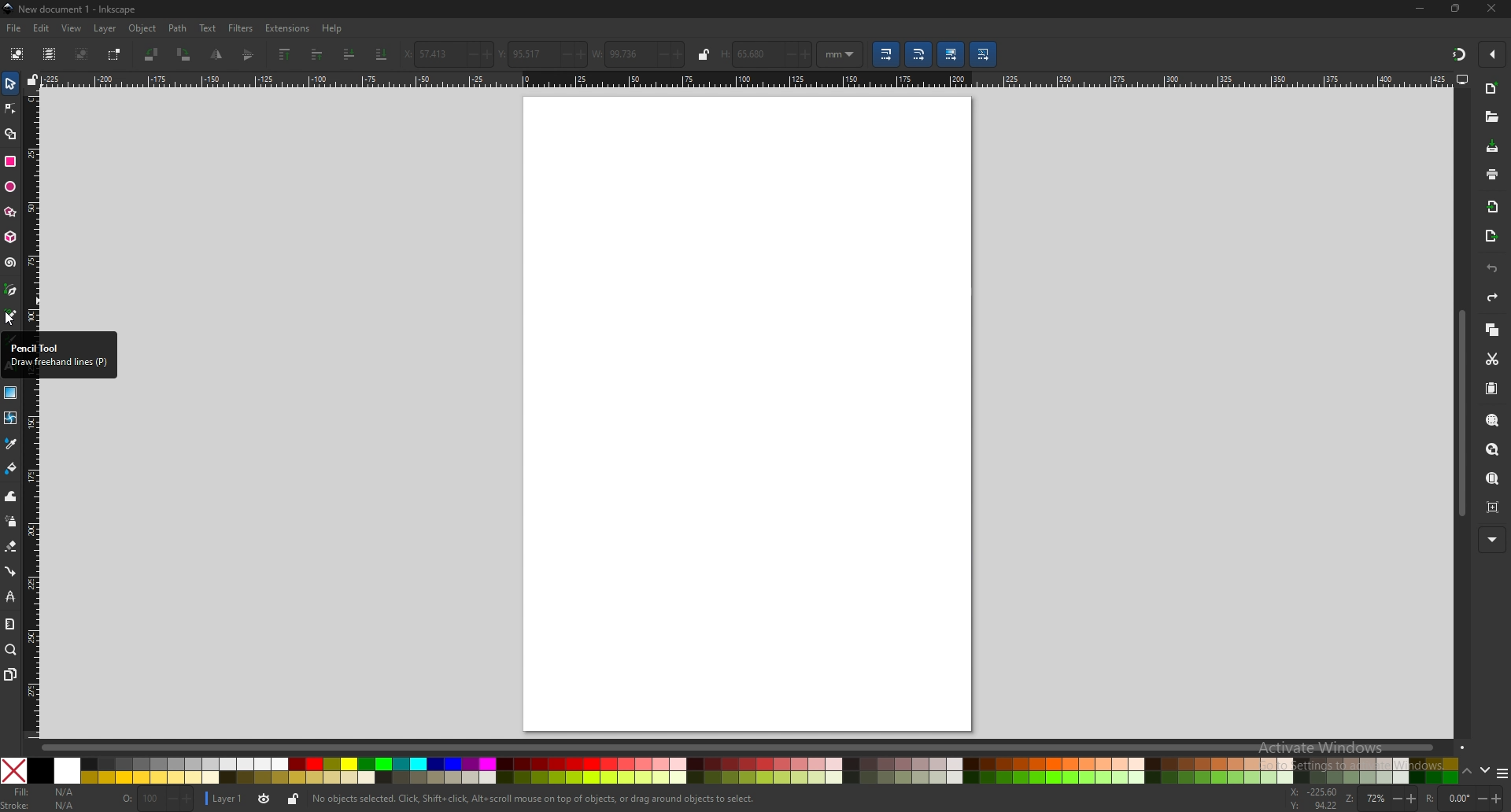 The height and width of the screenshot is (812, 1511). Describe the element at coordinates (242, 29) in the screenshot. I see `filters` at that location.